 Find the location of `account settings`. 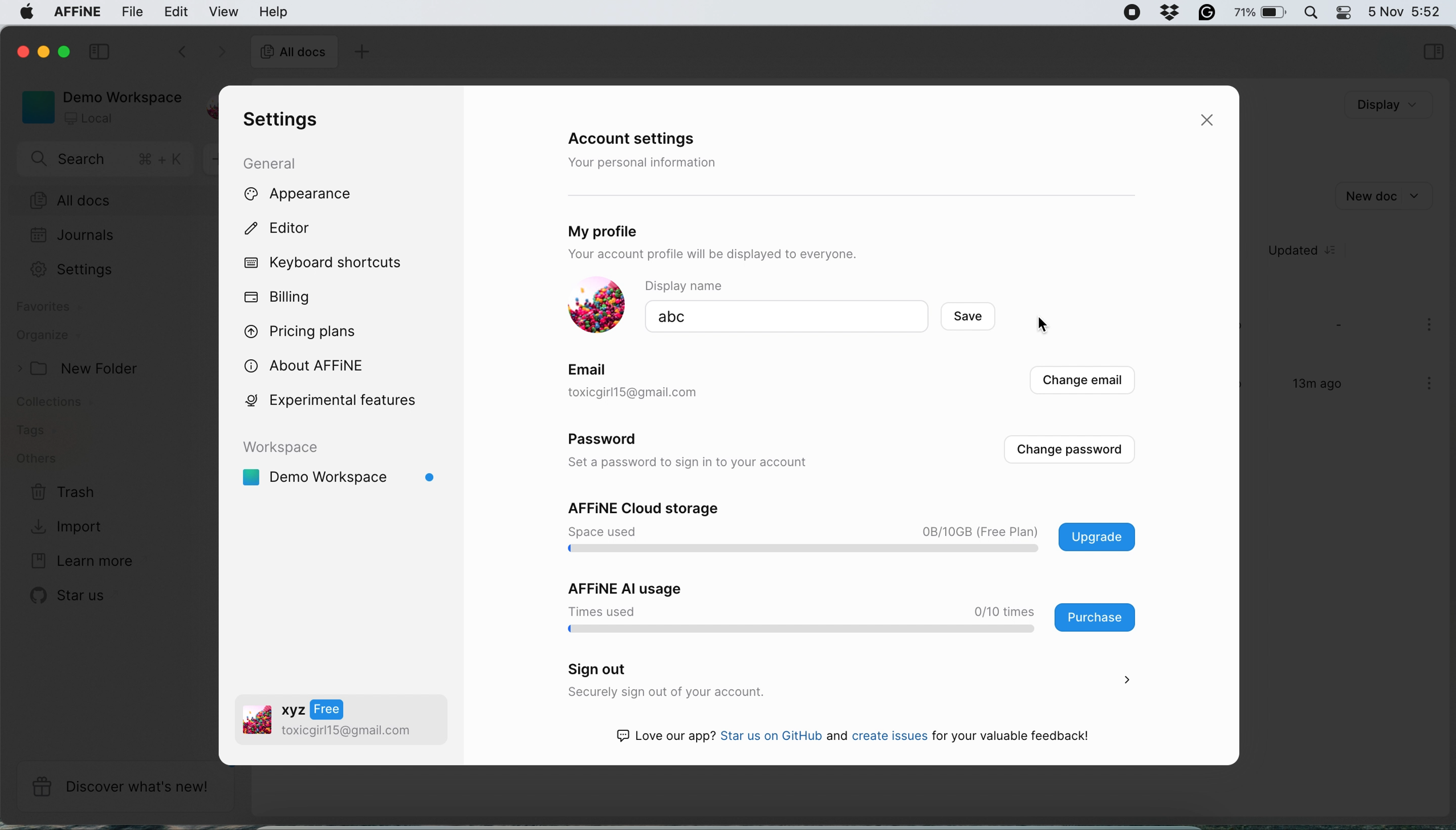

account settings is located at coordinates (640, 140).